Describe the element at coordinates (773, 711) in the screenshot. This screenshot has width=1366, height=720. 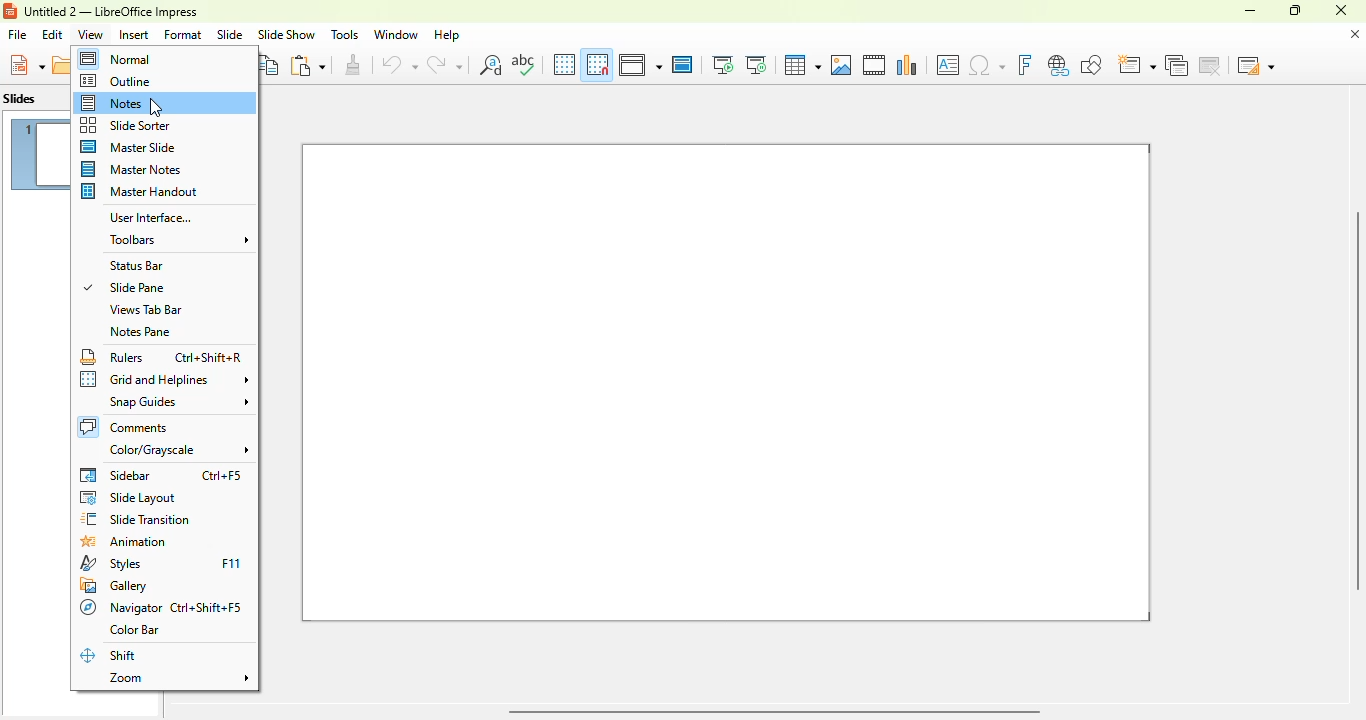
I see `horizontal scroll bar` at that location.